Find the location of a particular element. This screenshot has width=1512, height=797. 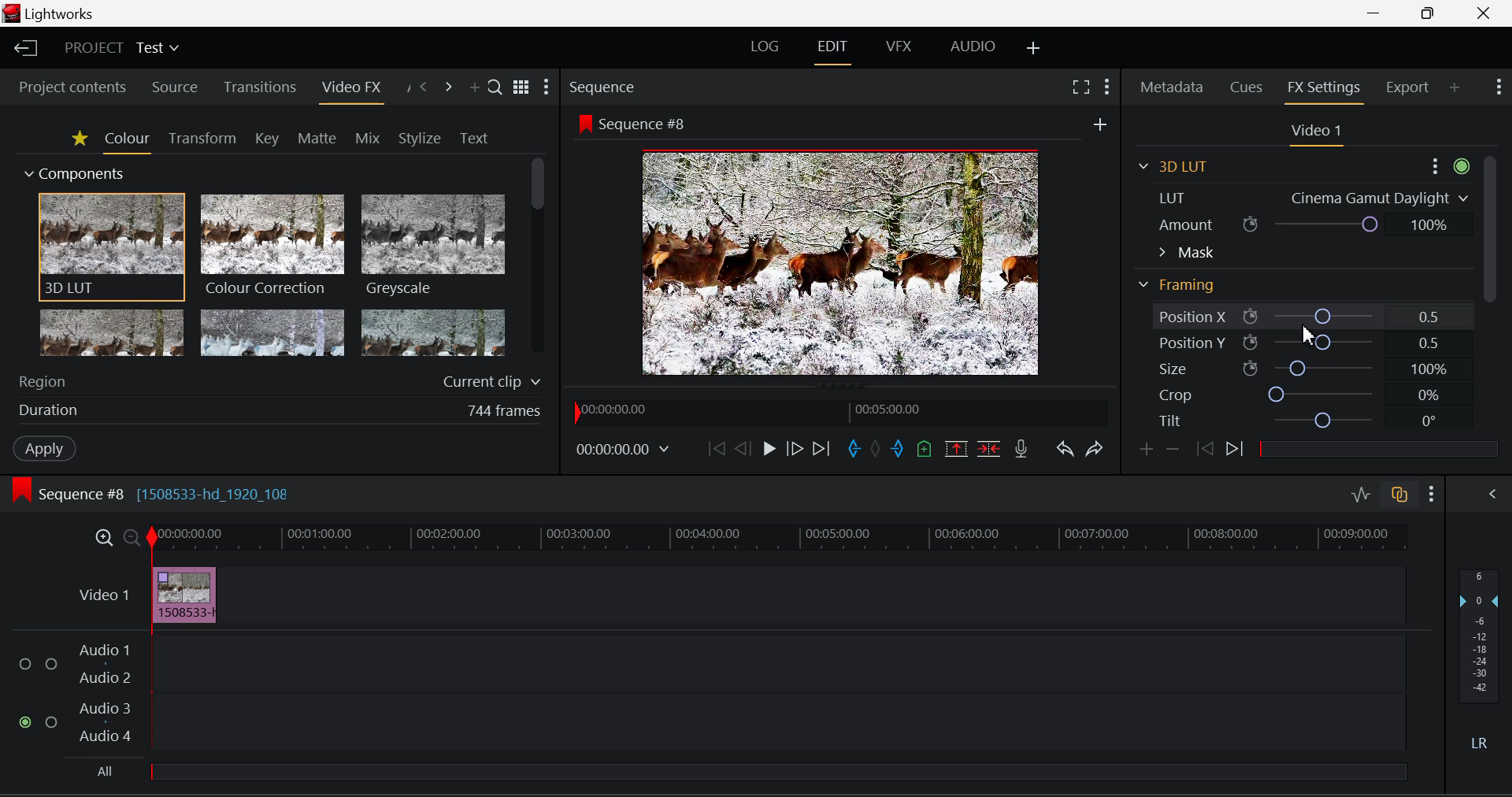

Text is located at coordinates (472, 139).